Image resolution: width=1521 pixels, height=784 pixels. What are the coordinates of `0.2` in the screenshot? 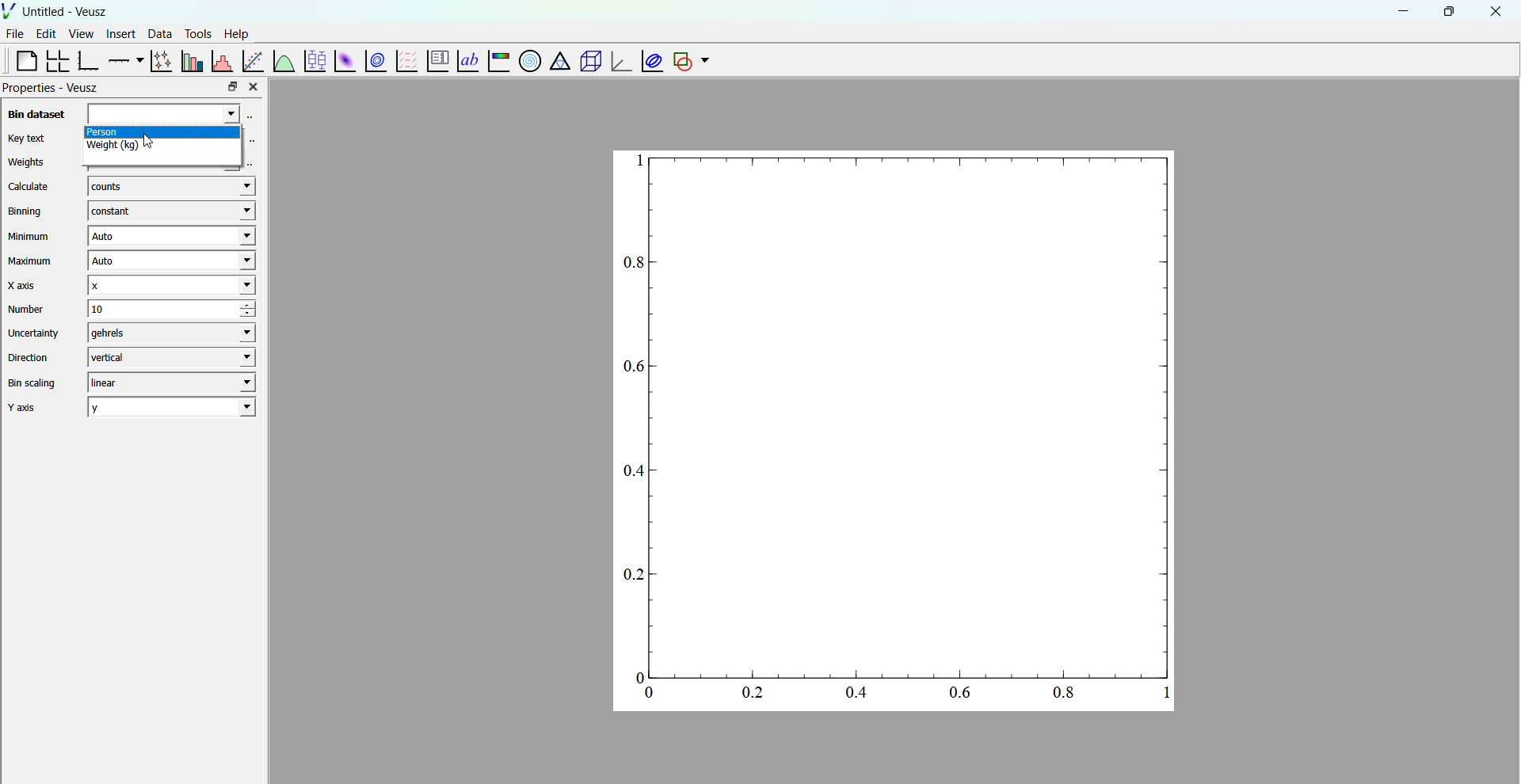 It's located at (631, 577).